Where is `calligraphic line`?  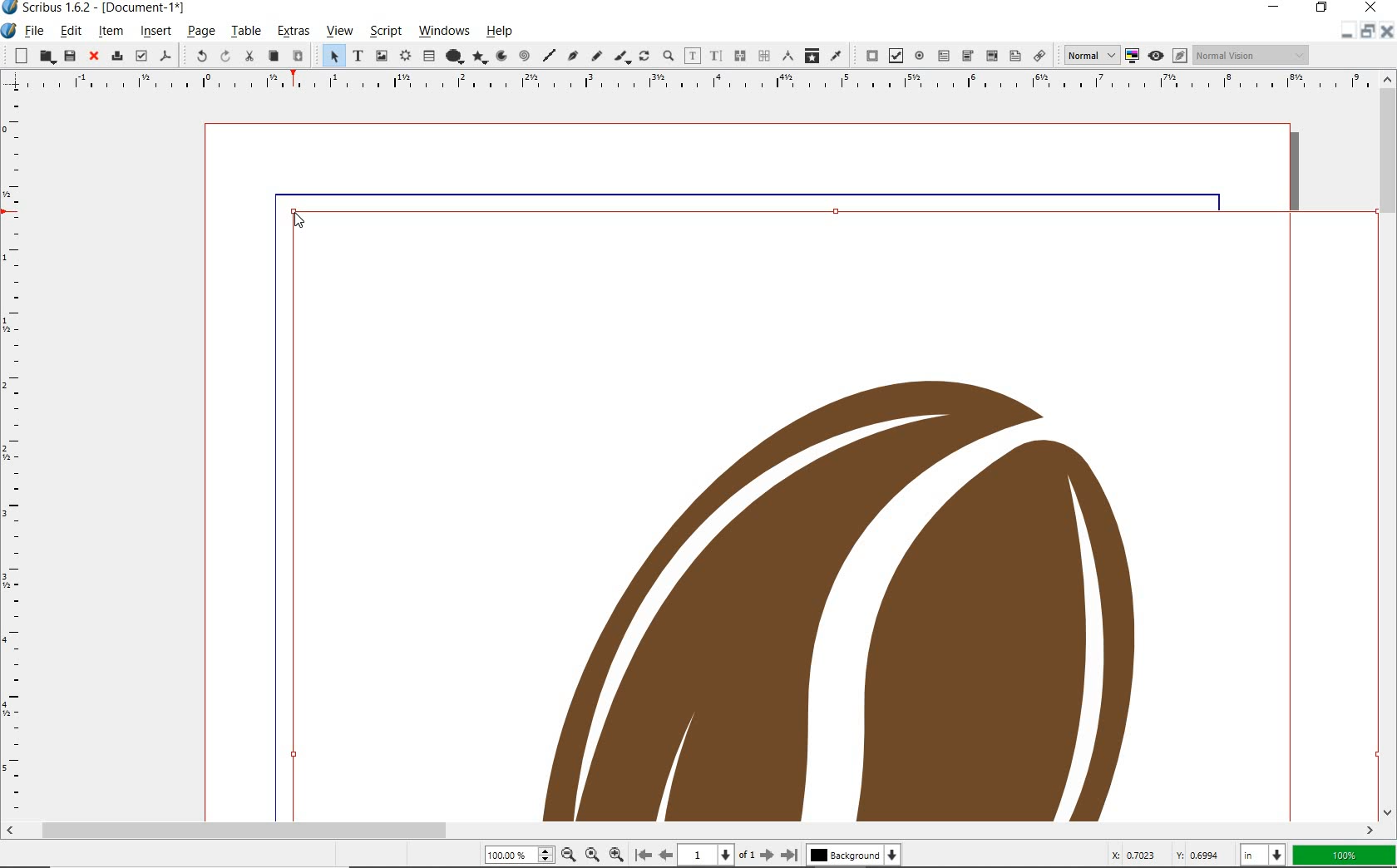 calligraphic line is located at coordinates (624, 57).